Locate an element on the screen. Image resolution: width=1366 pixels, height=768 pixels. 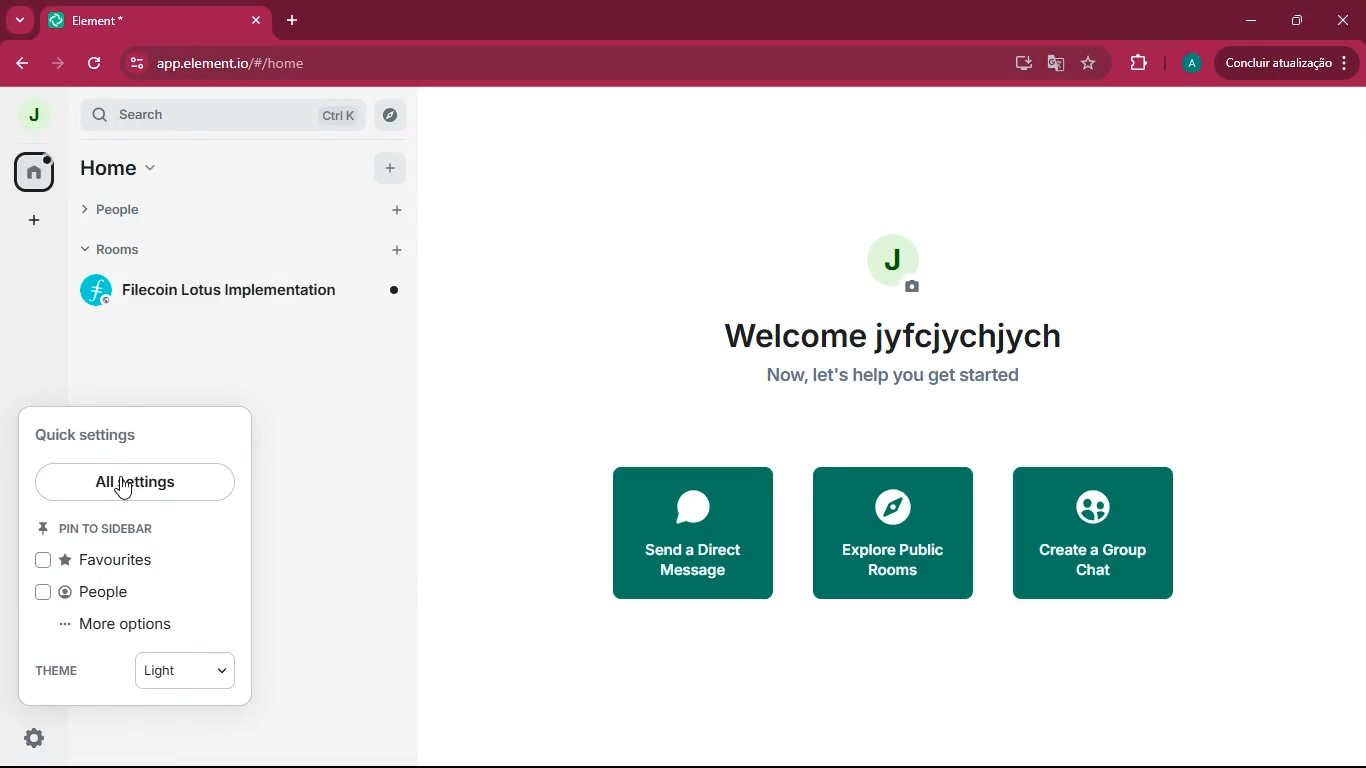
profile picture is located at coordinates (28, 115).